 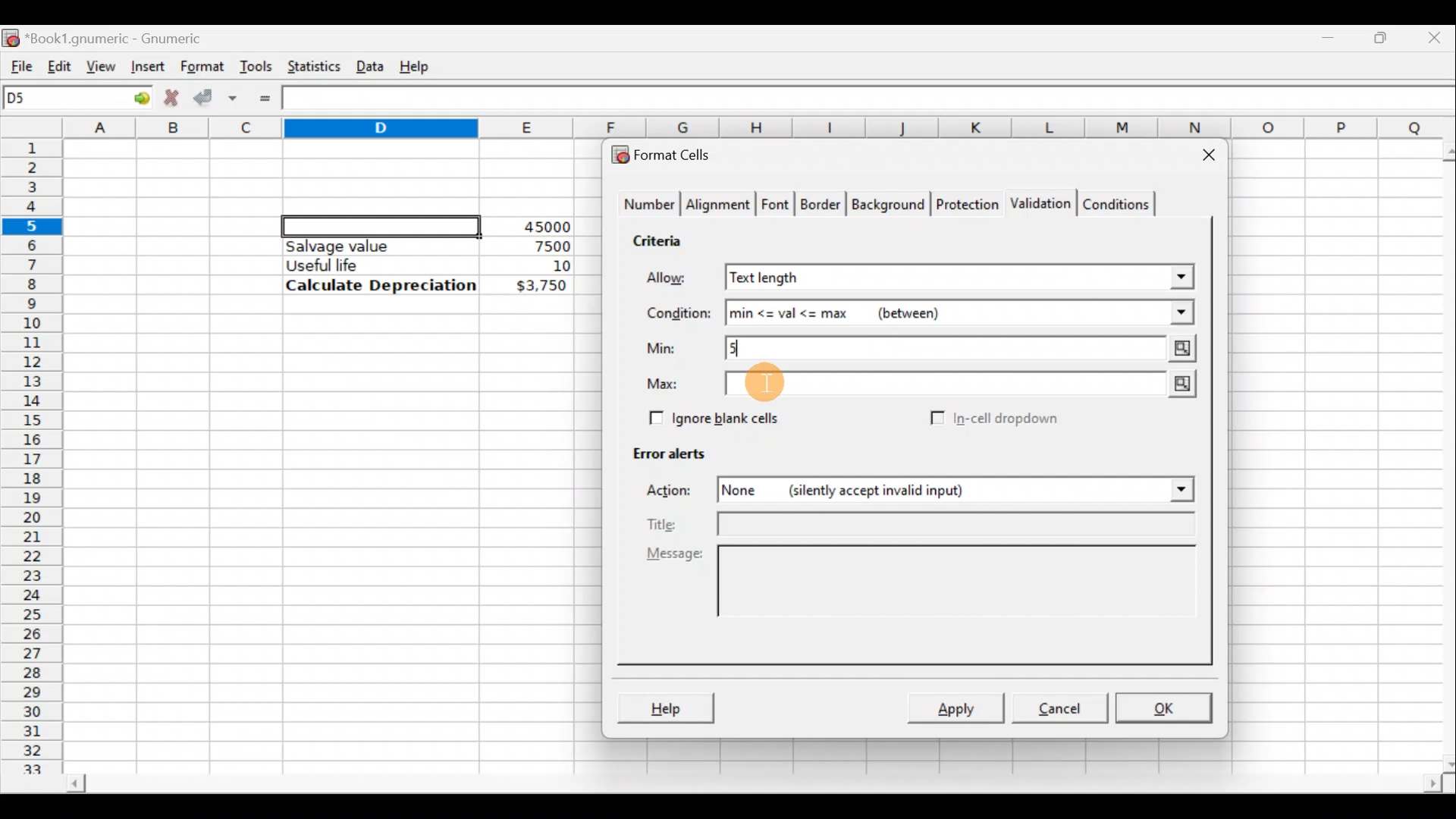 I want to click on Background, so click(x=887, y=203).